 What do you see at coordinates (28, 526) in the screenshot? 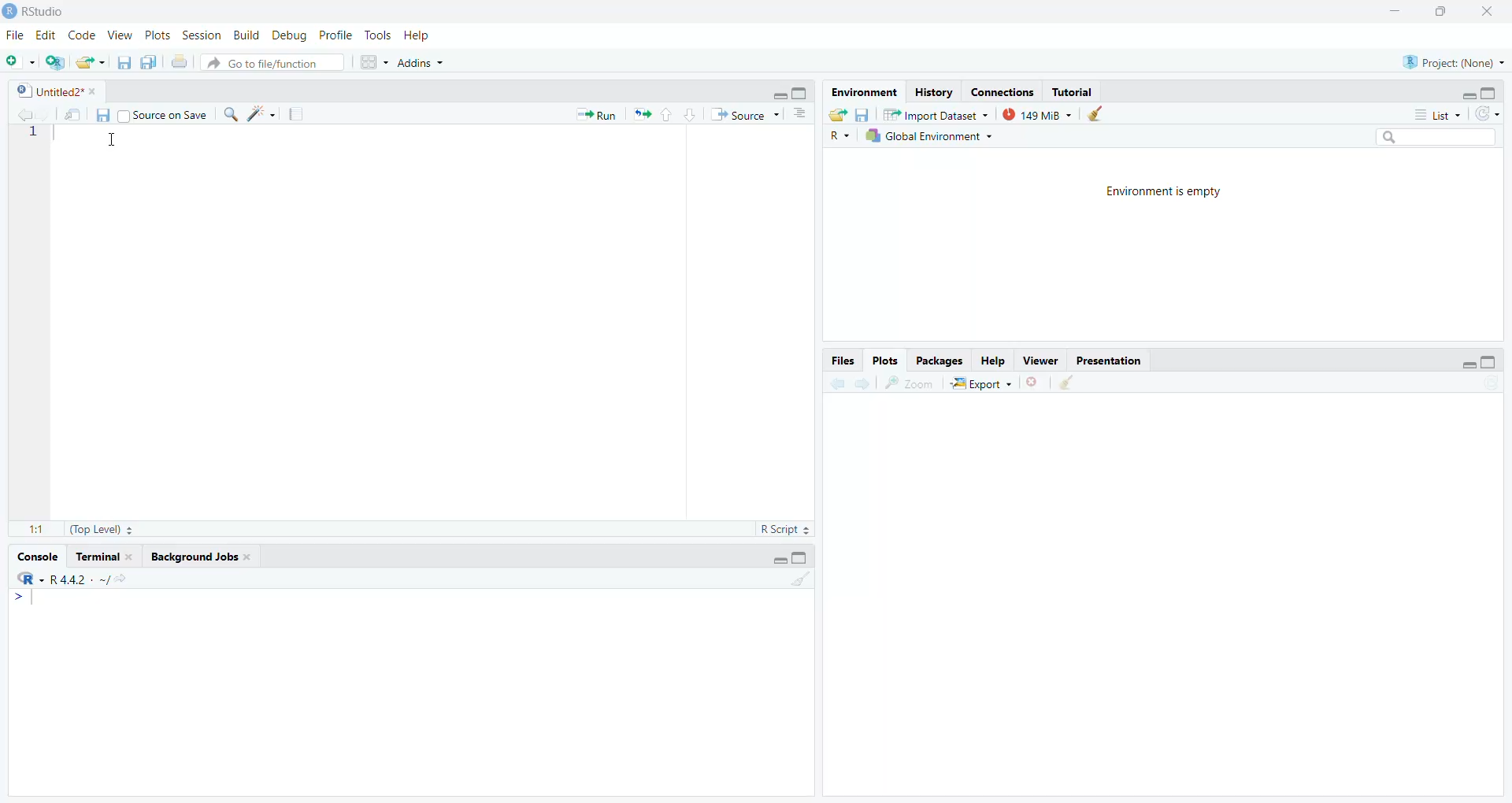
I see `1:1` at bounding box center [28, 526].